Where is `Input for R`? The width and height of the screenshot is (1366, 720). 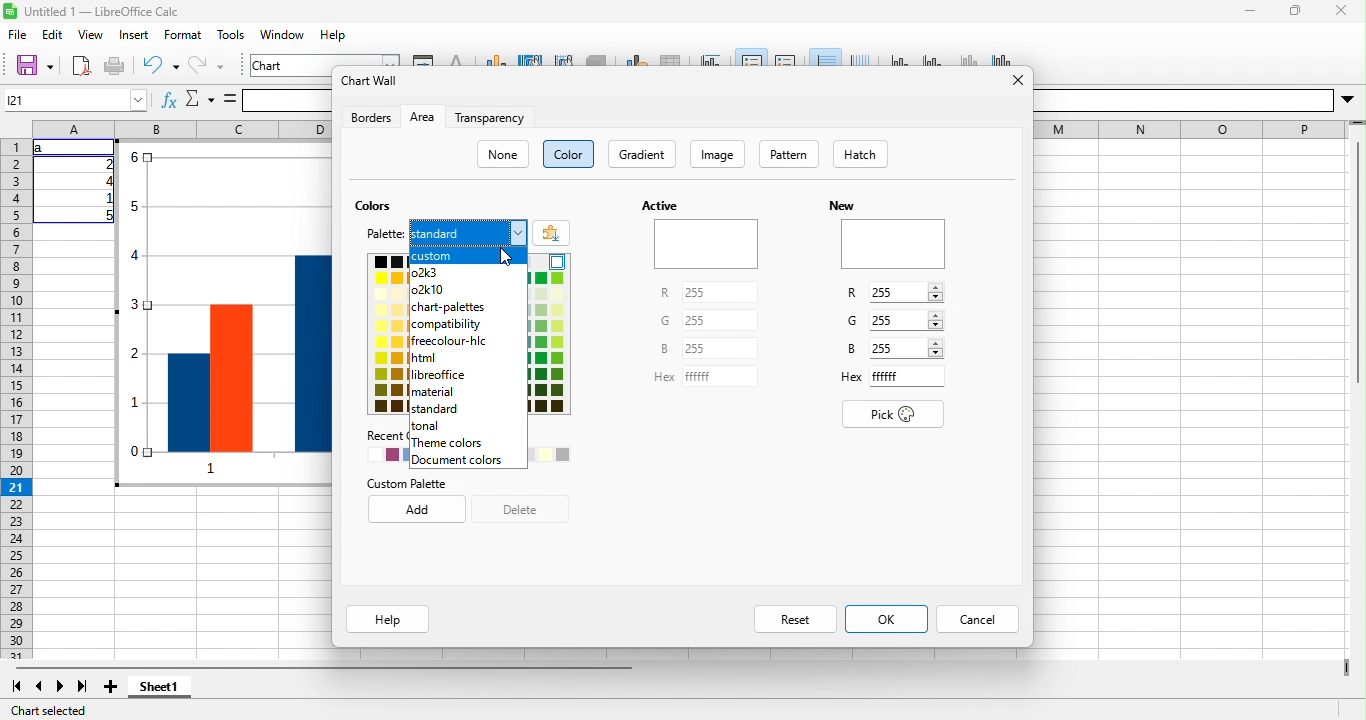
Input for R is located at coordinates (720, 292).